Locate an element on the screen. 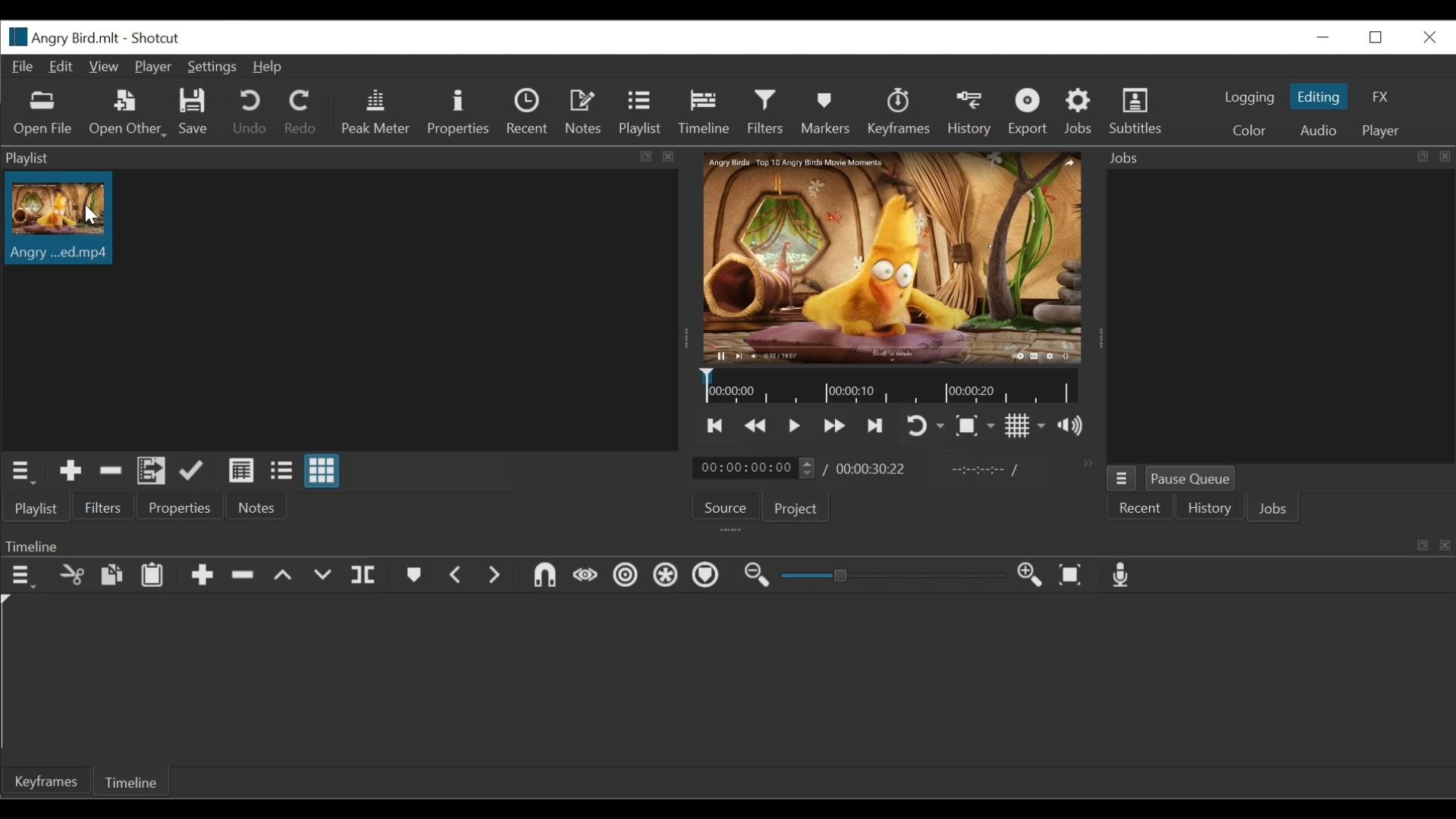 Image resolution: width=1456 pixels, height=819 pixels. Recent is located at coordinates (529, 111).